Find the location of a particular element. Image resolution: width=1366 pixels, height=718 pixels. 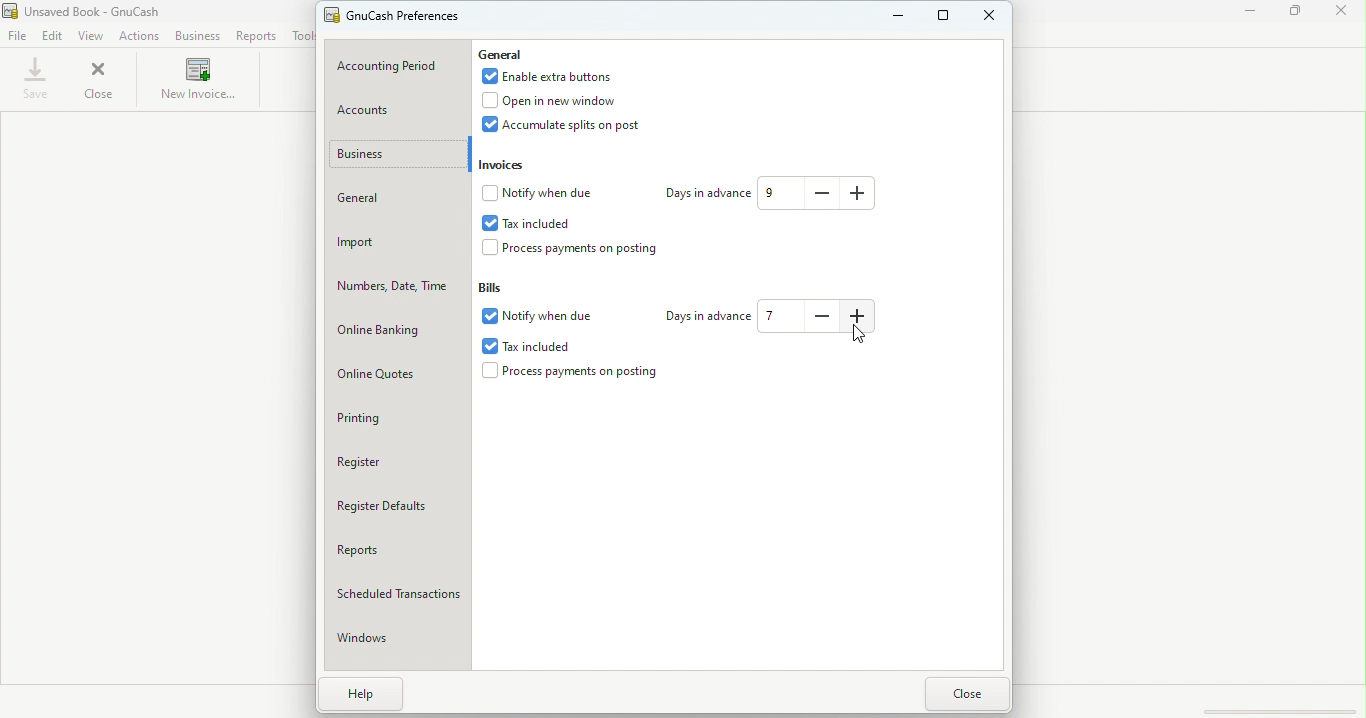

Register is located at coordinates (393, 459).